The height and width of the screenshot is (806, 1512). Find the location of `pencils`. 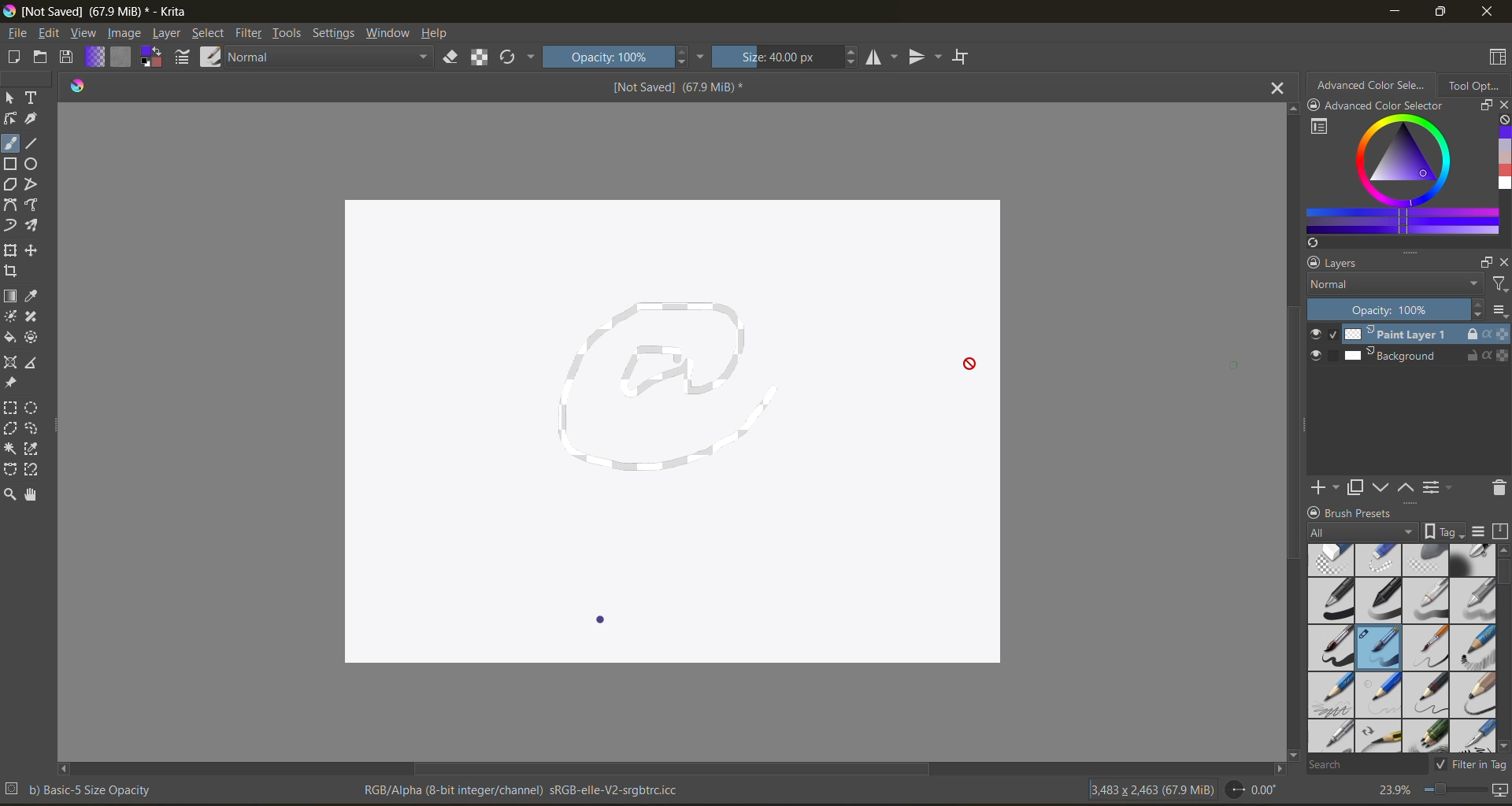

pencils is located at coordinates (1427, 737).